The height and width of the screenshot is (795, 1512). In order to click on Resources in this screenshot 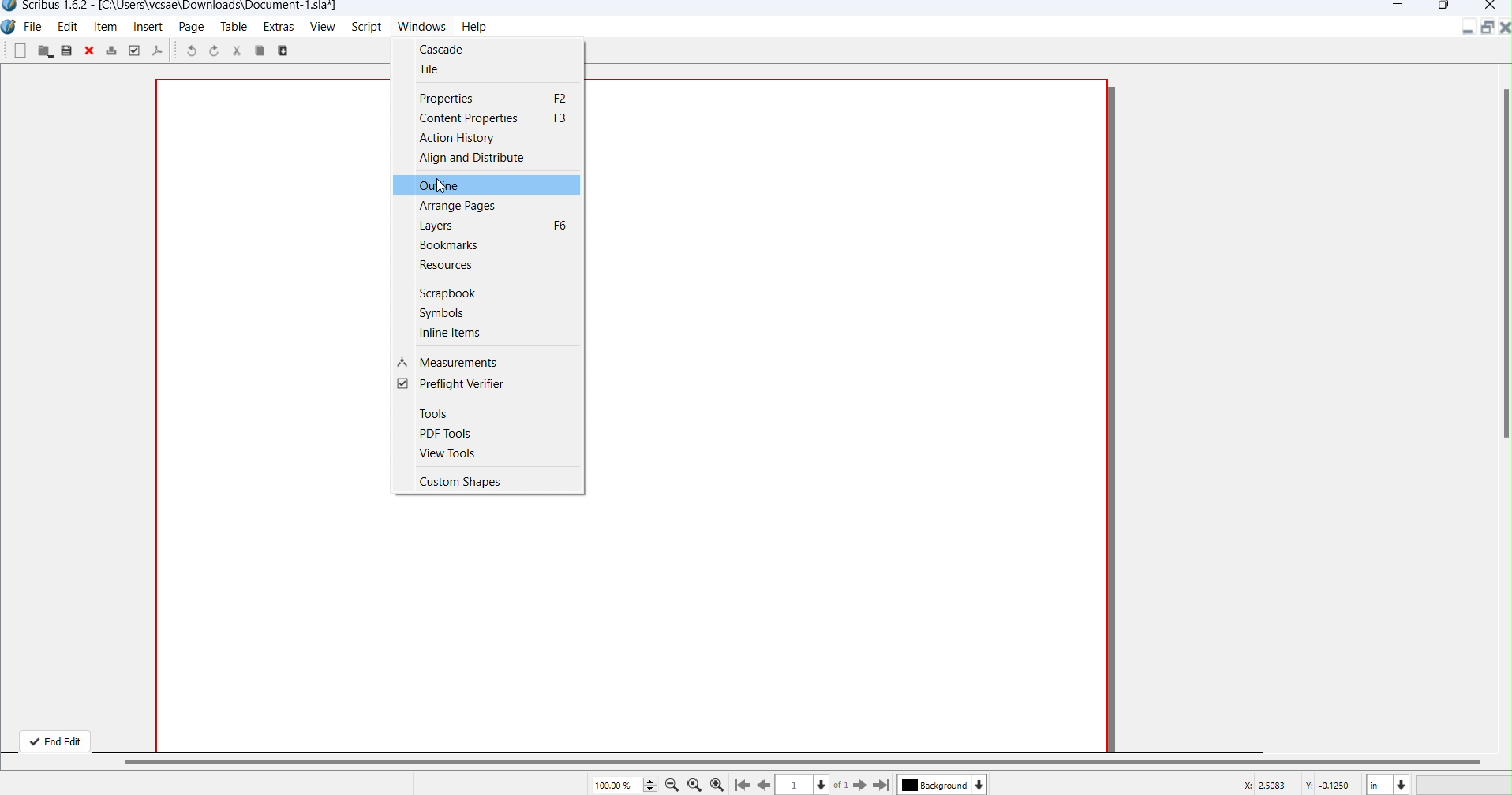, I will do `click(457, 267)`.